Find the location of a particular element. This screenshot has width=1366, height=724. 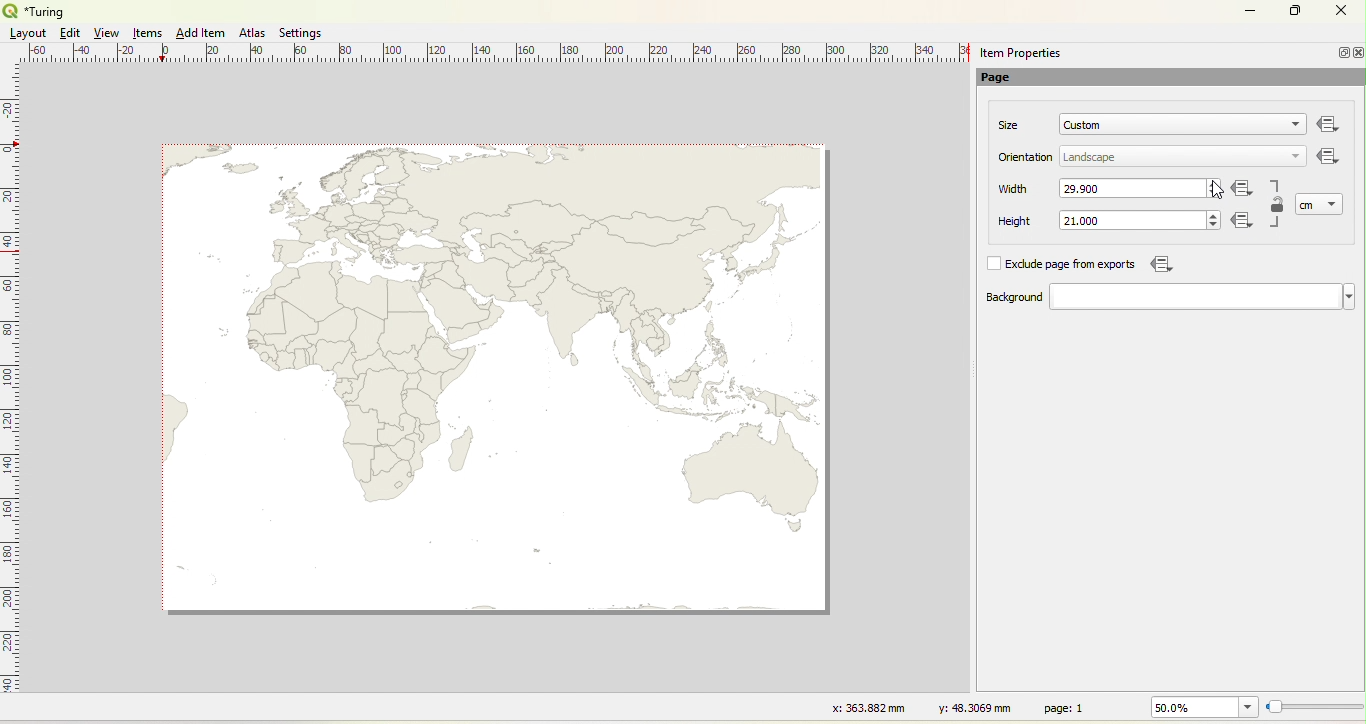

increase is located at coordinates (1211, 214).